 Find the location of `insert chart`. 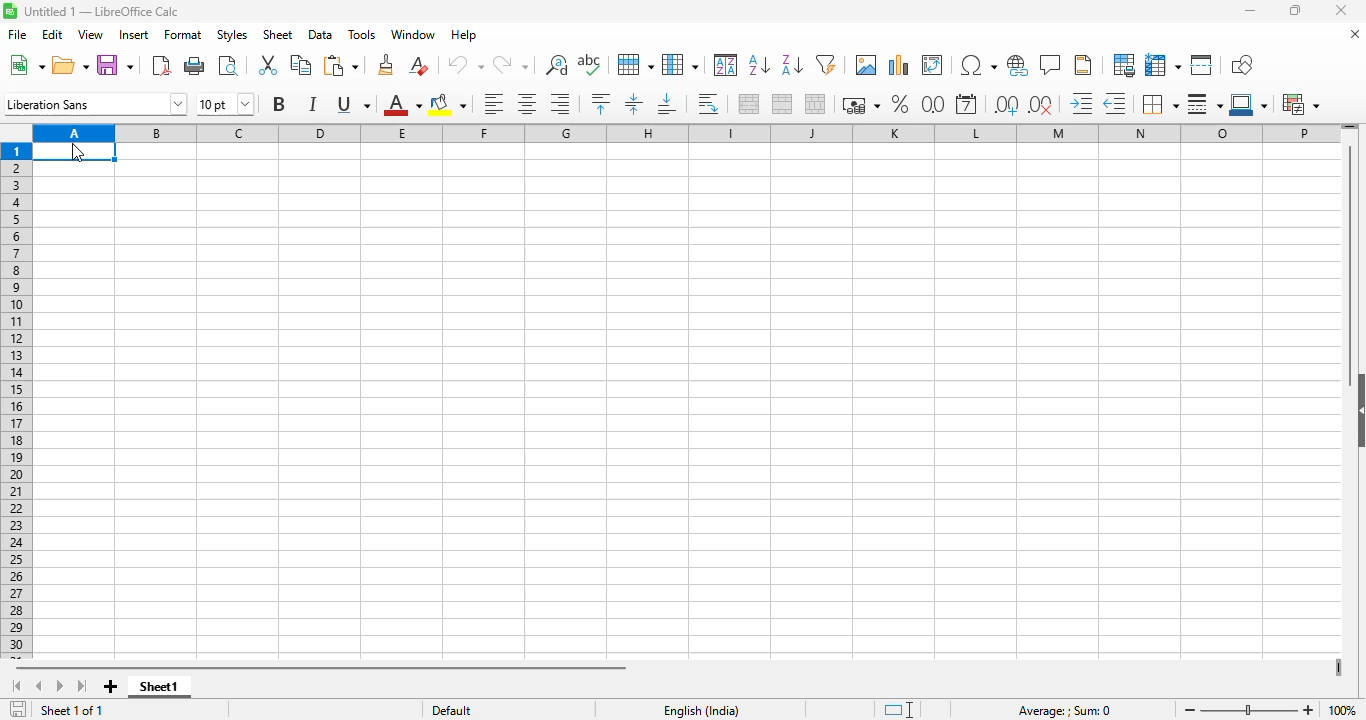

insert chart is located at coordinates (899, 65).